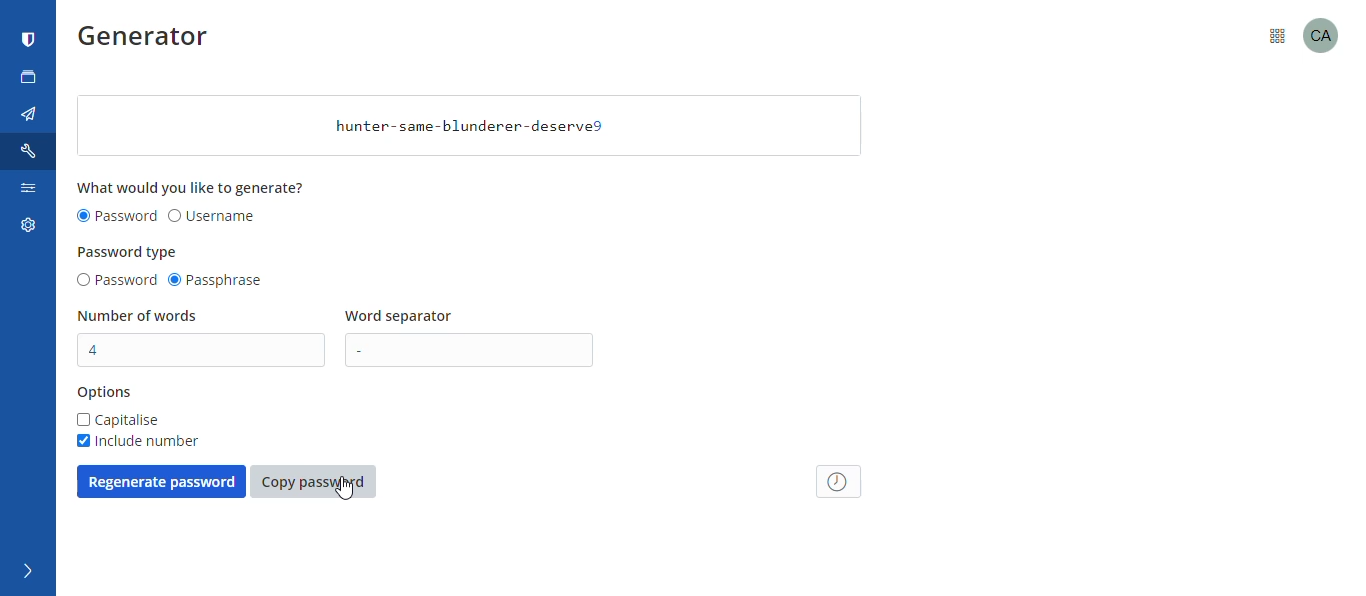 Image resolution: width=1366 pixels, height=596 pixels. What do you see at coordinates (212, 217) in the screenshot?
I see `username radio button` at bounding box center [212, 217].